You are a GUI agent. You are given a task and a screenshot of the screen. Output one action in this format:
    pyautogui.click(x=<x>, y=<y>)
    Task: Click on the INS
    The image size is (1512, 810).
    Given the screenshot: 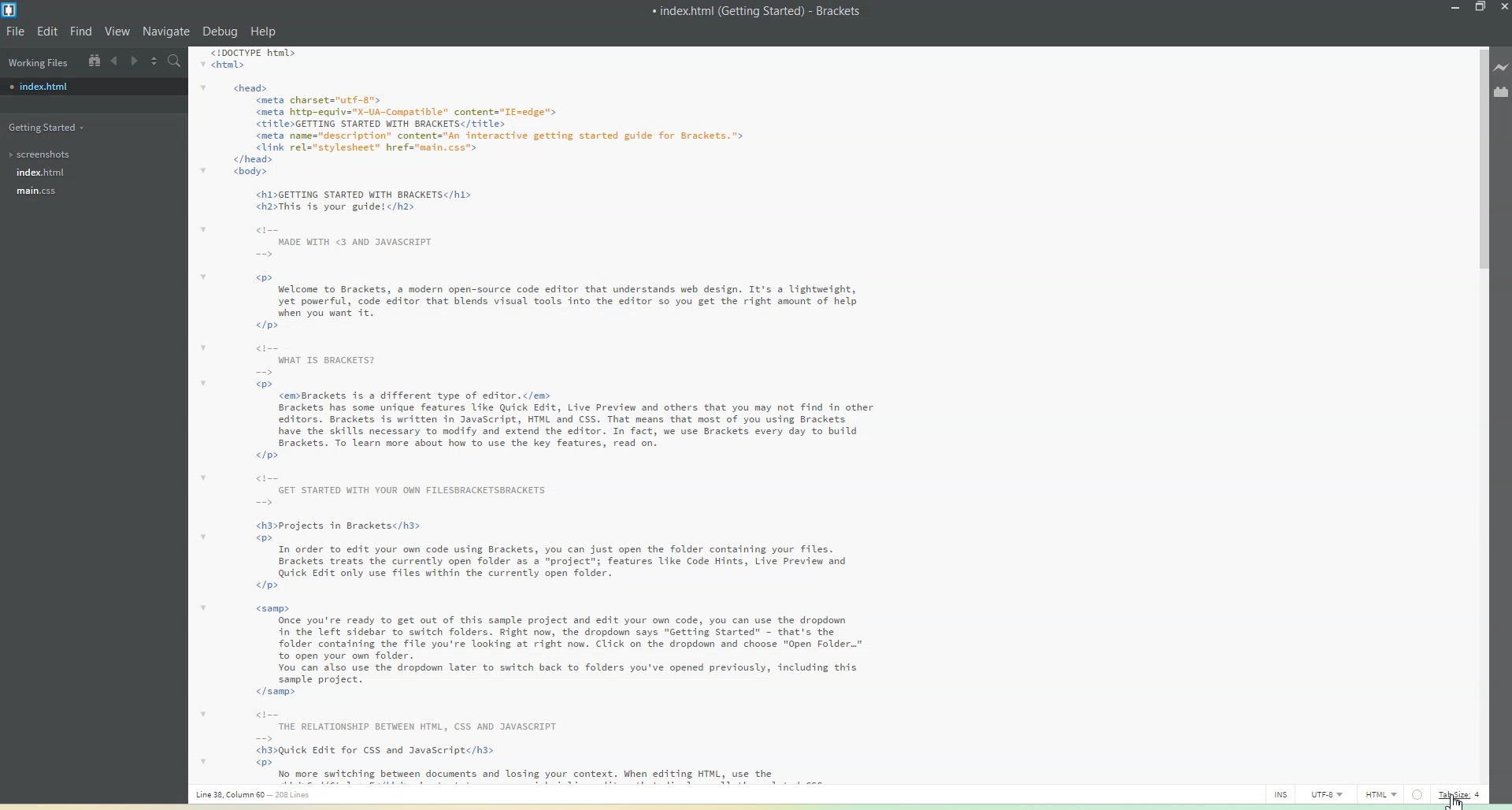 What is the action you would take?
    pyautogui.click(x=1281, y=793)
    